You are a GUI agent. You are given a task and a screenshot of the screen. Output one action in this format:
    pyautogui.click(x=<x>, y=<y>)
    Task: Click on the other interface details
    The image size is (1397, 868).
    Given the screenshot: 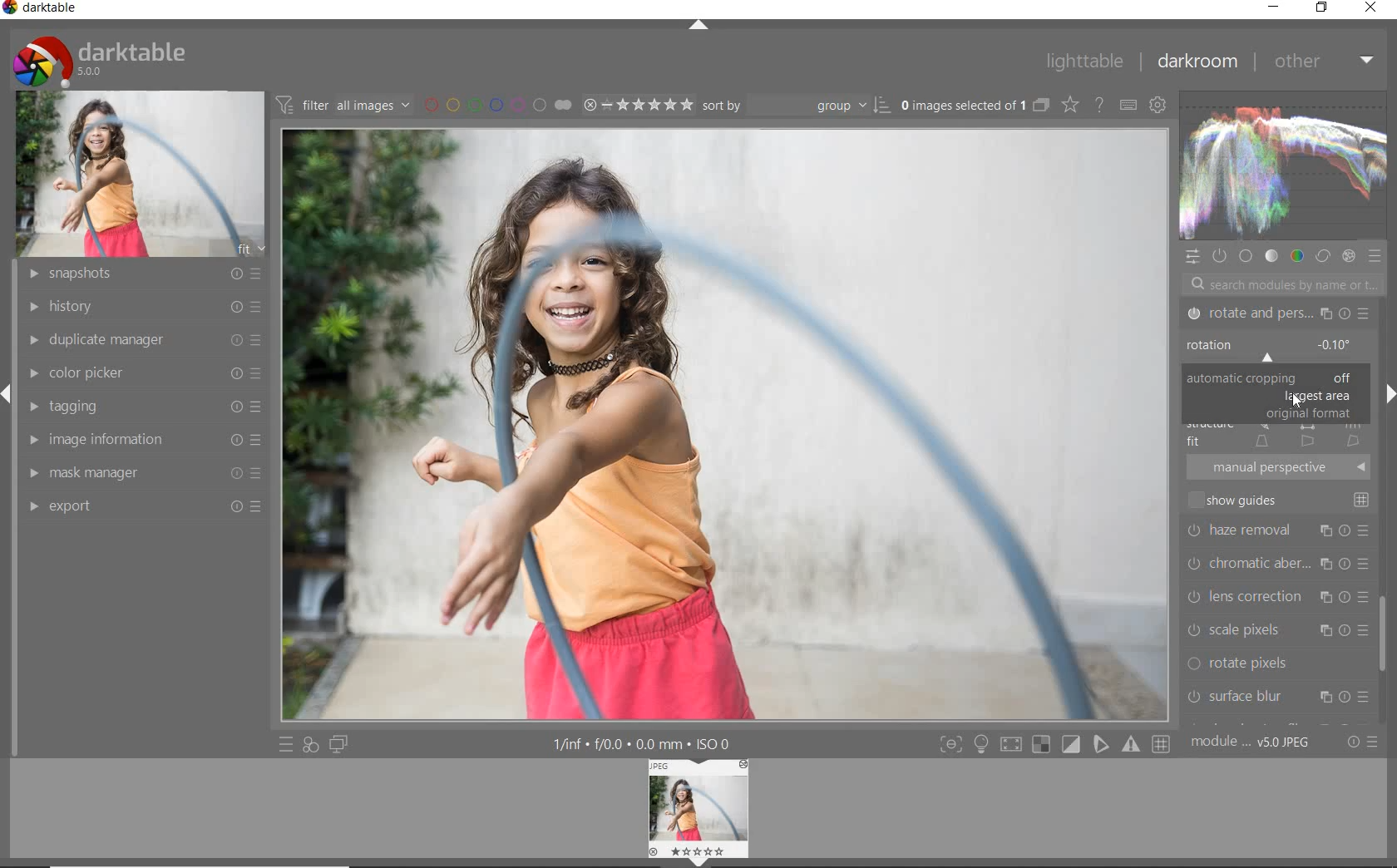 What is the action you would take?
    pyautogui.click(x=638, y=744)
    